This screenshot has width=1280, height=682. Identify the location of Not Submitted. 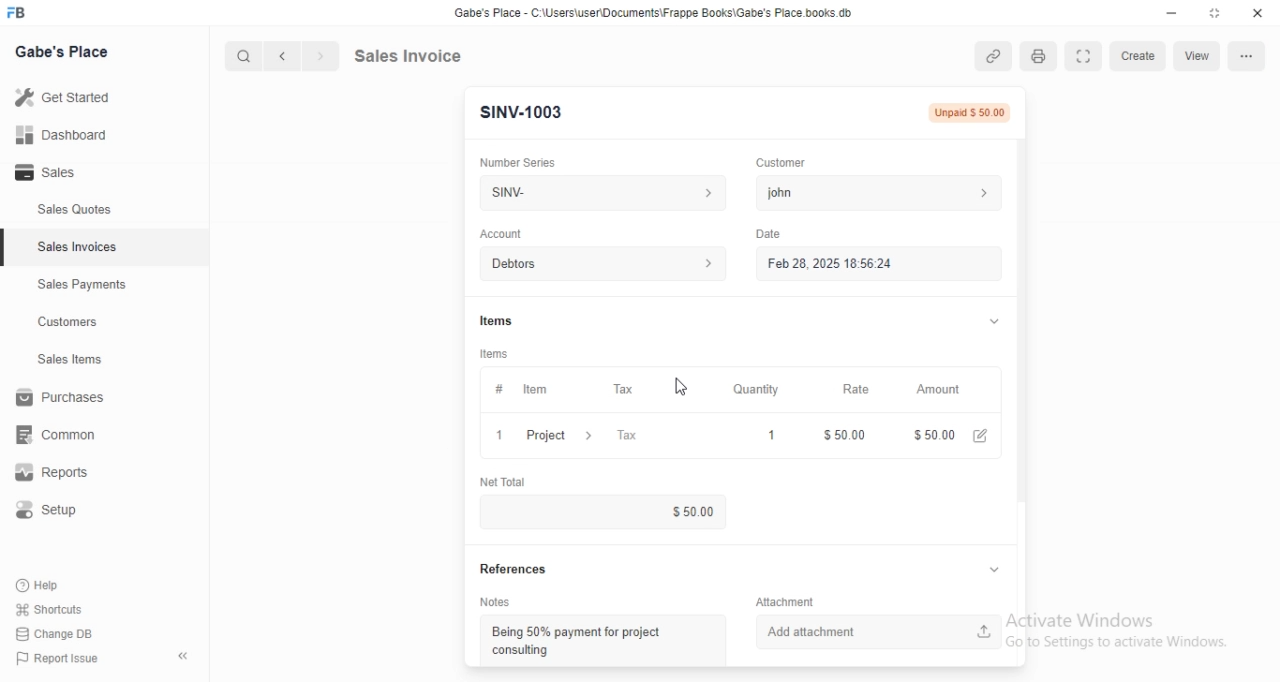
(970, 111).